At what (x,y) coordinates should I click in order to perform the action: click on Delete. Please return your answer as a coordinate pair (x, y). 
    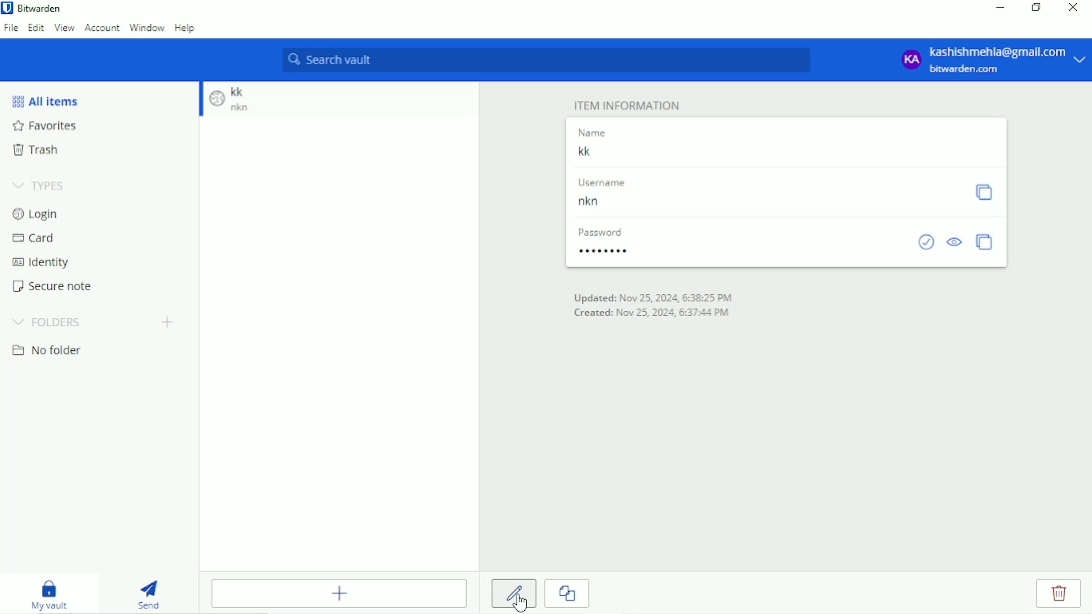
    Looking at the image, I should click on (1063, 593).